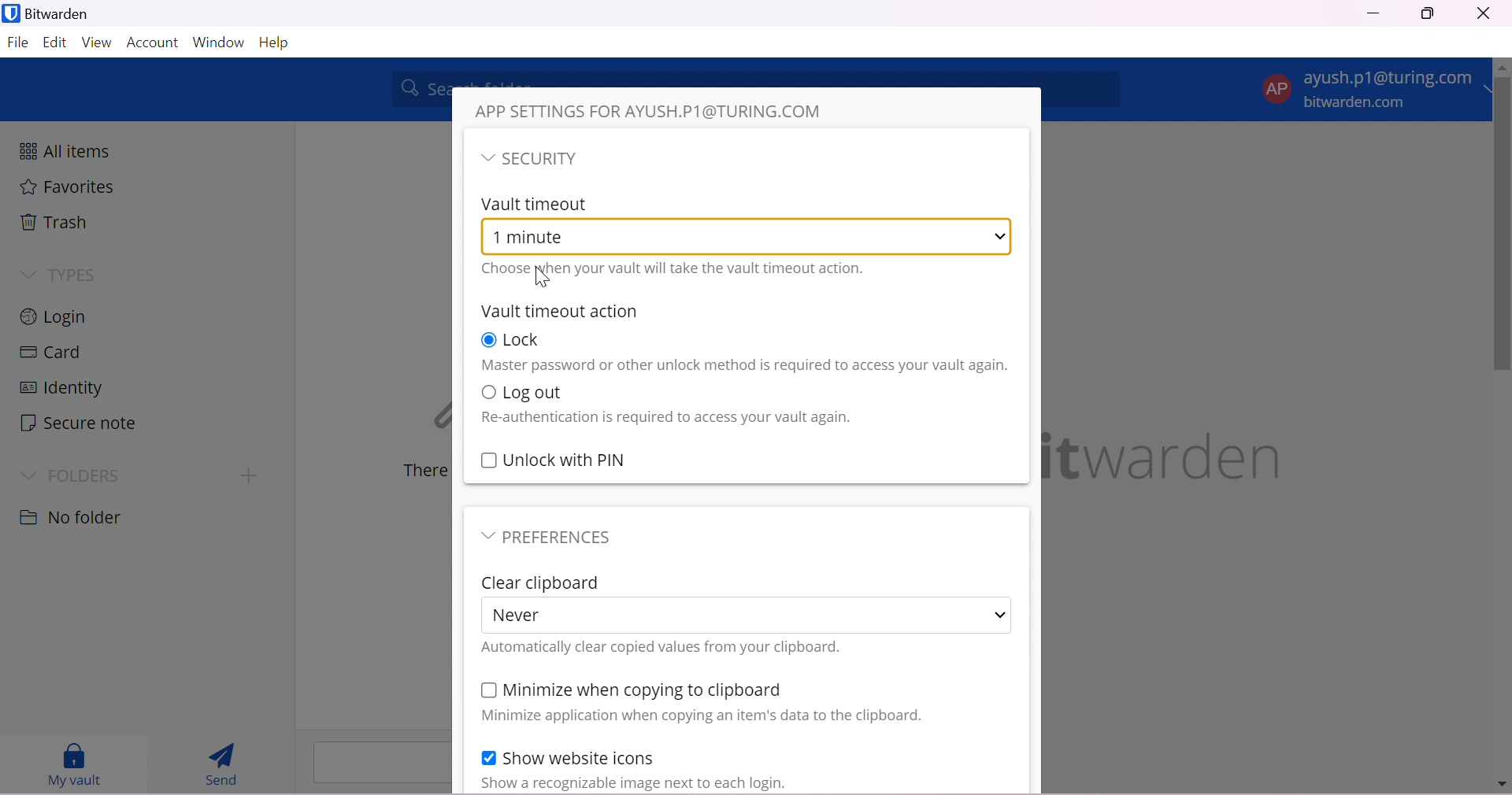  I want to click on Drop Down, so click(486, 159).